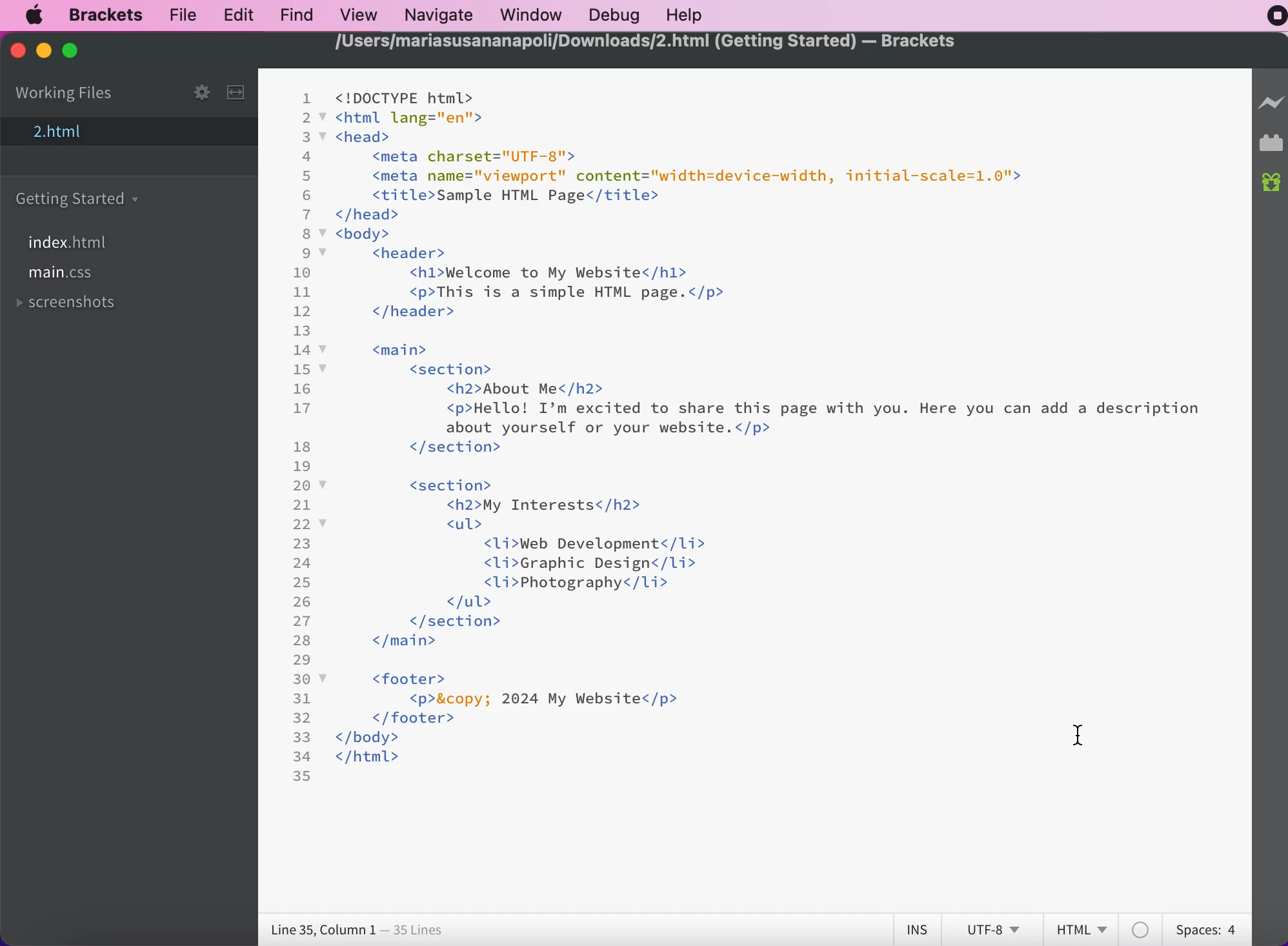  Describe the element at coordinates (303, 332) in the screenshot. I see `13` at that location.